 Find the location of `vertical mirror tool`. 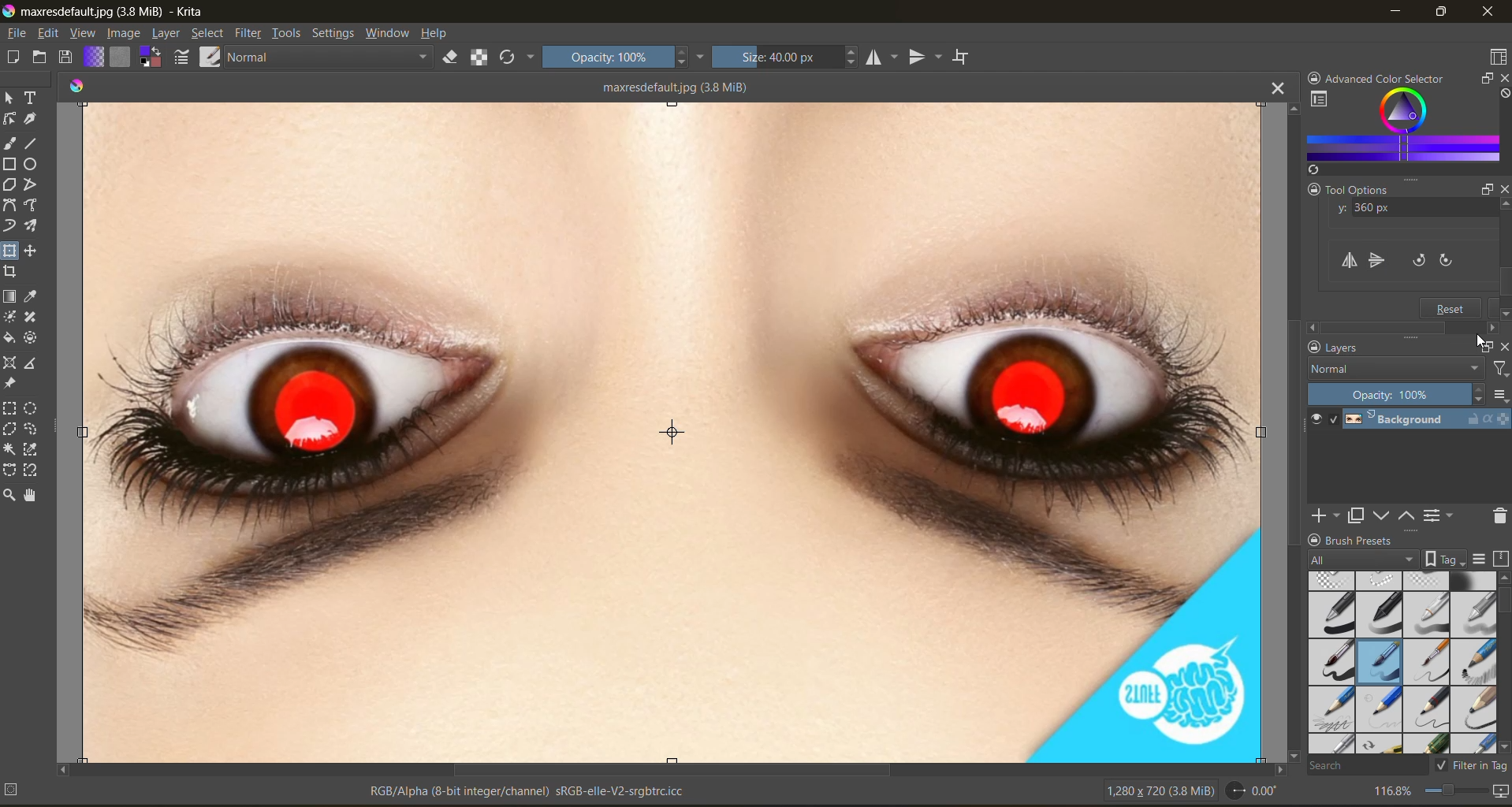

vertical mirror tool is located at coordinates (928, 58).